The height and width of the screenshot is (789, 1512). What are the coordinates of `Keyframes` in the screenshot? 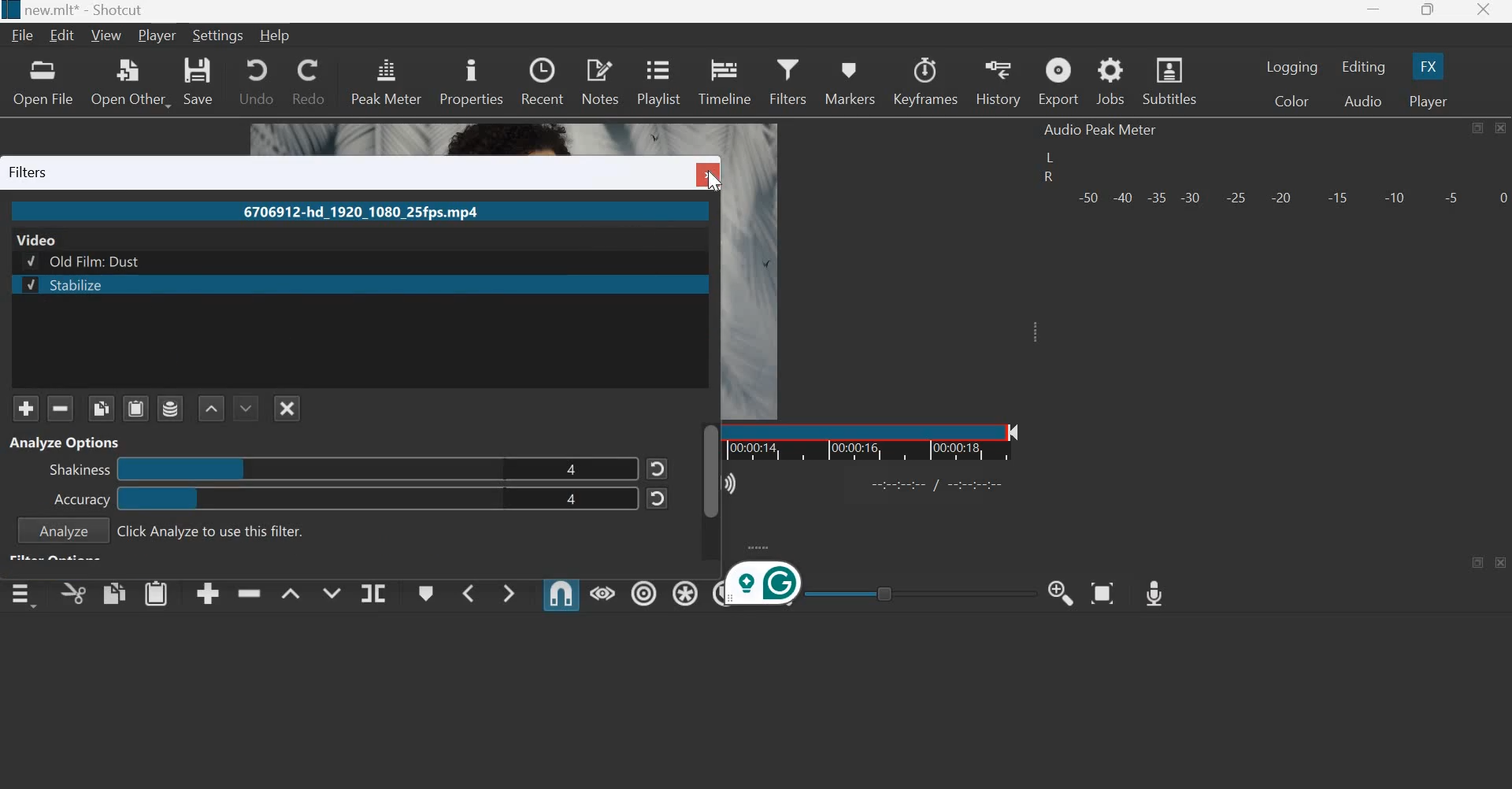 It's located at (927, 81).